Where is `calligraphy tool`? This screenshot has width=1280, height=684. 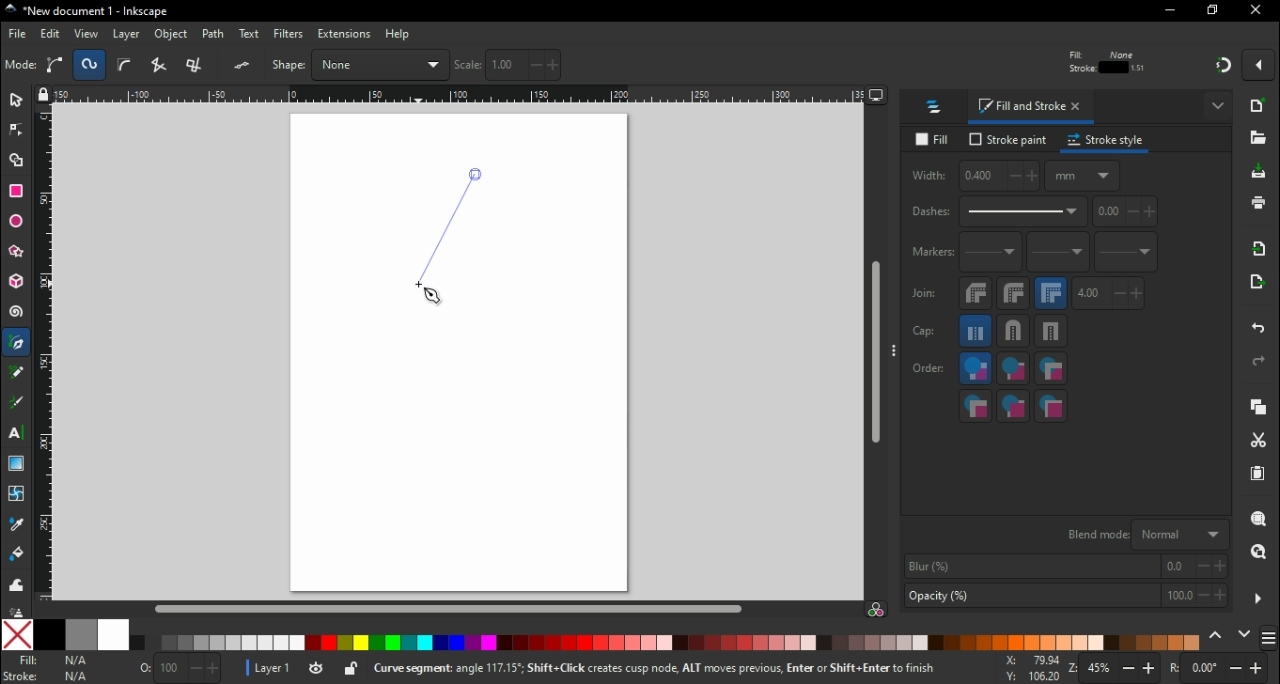 calligraphy tool is located at coordinates (16, 404).